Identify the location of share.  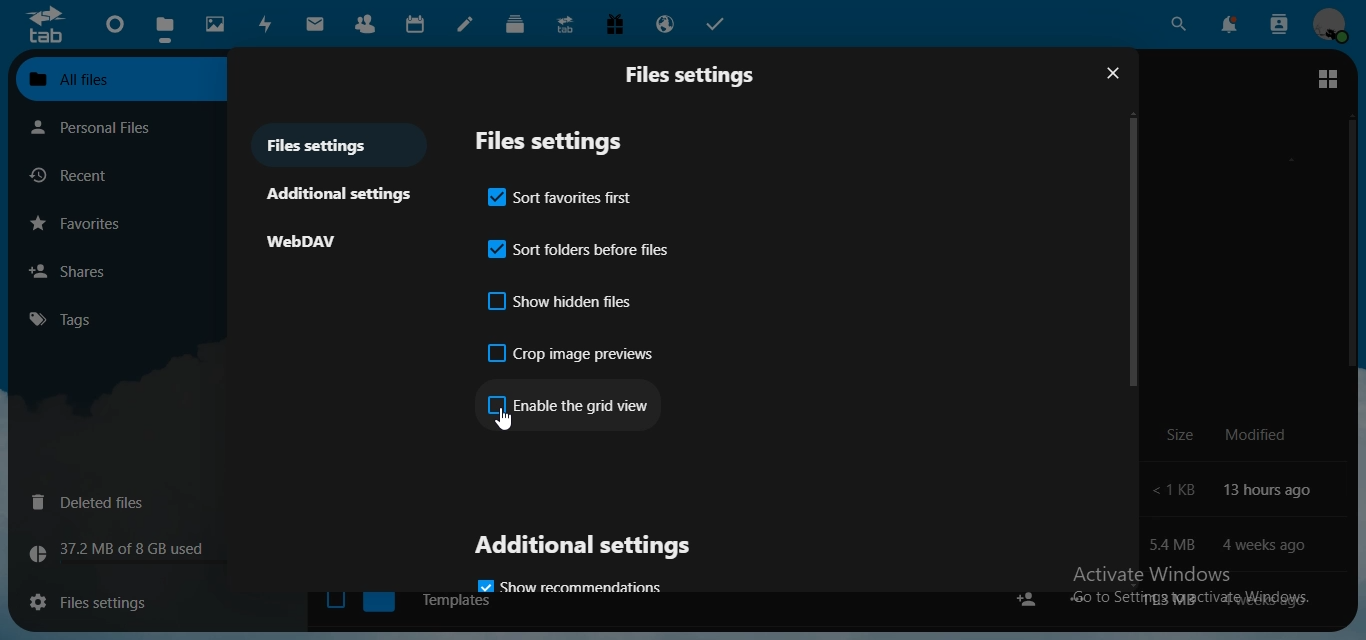
(1030, 598).